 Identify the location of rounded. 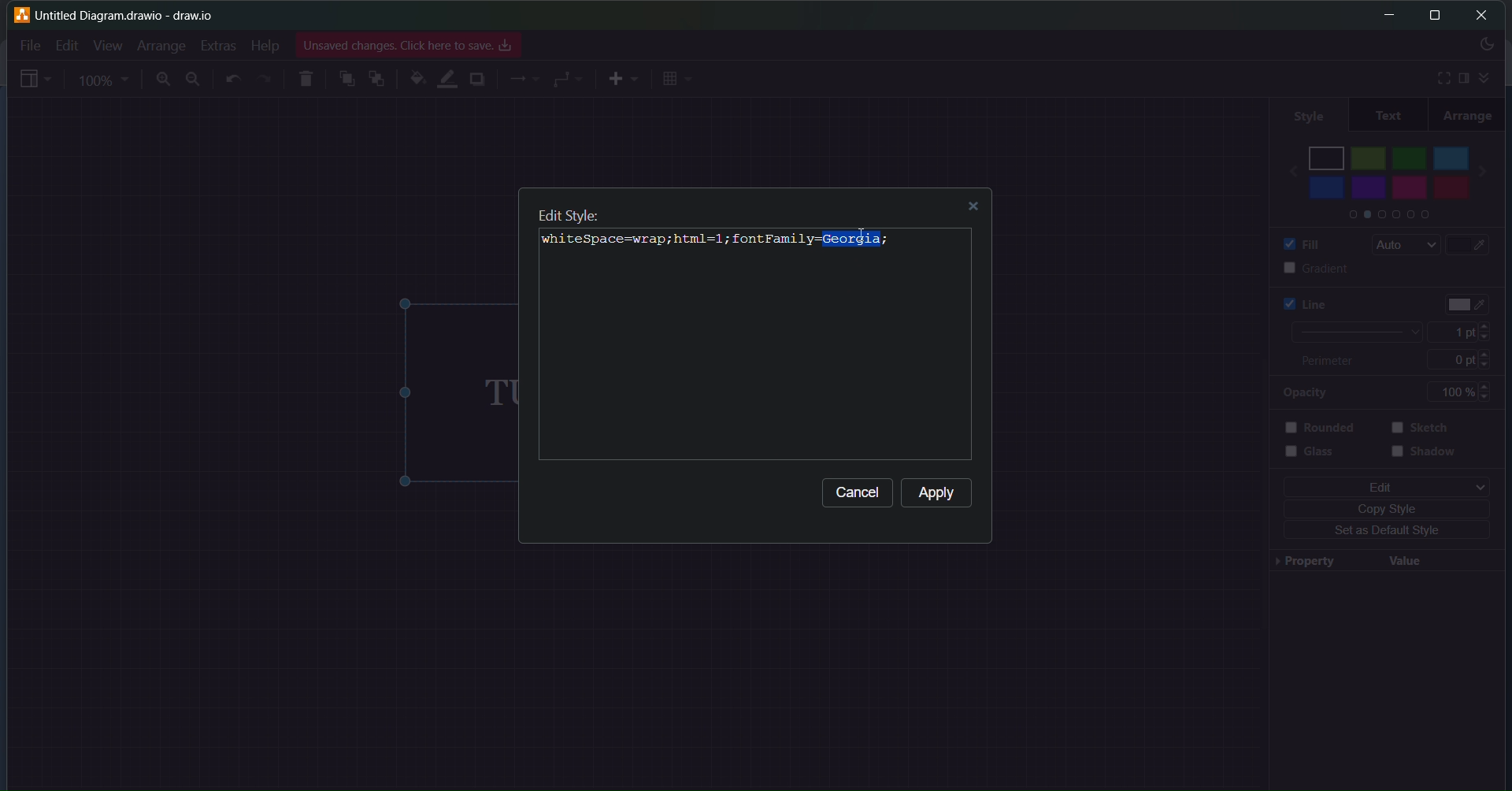
(1325, 427).